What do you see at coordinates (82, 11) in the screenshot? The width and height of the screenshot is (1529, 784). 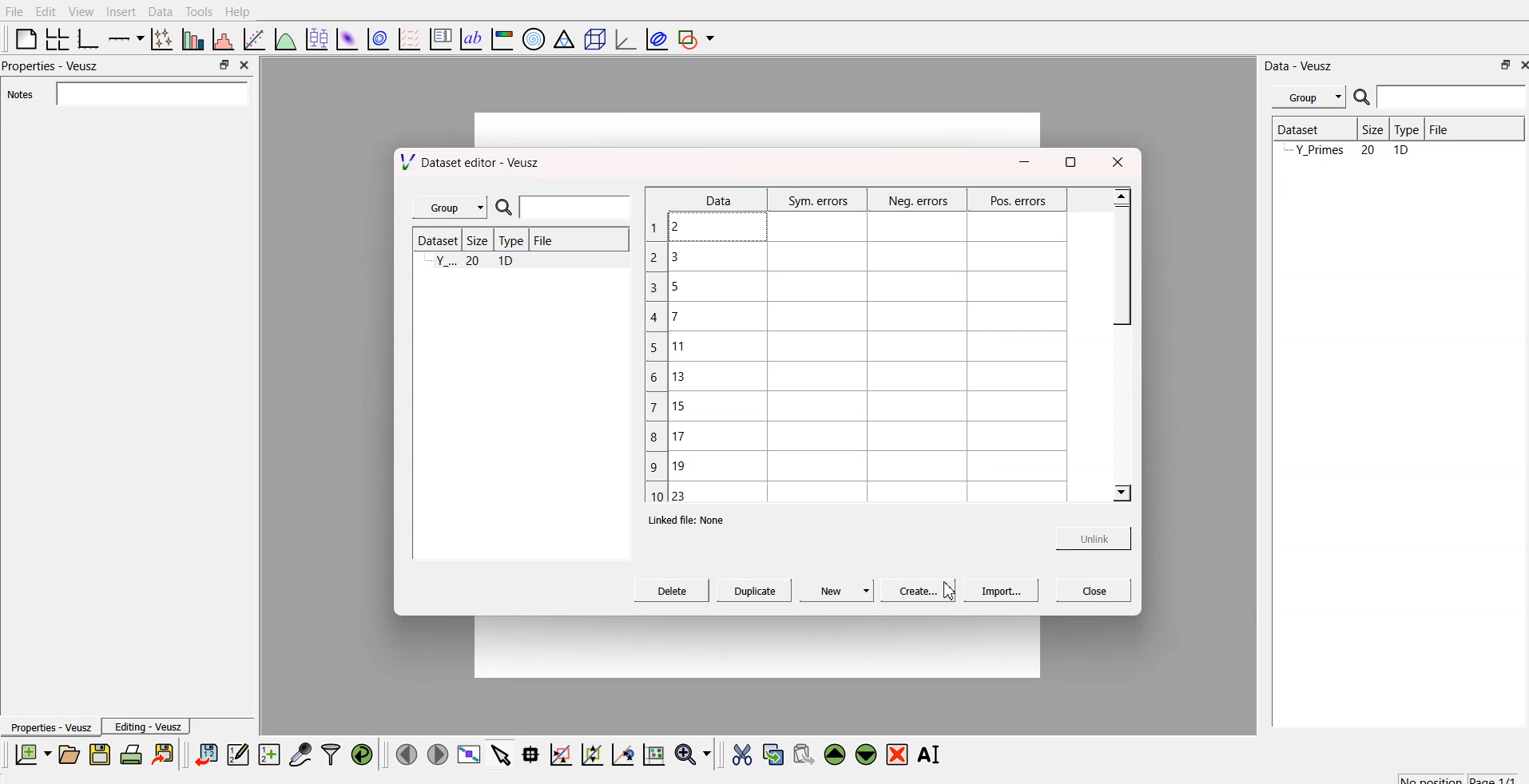 I see `View` at bounding box center [82, 11].